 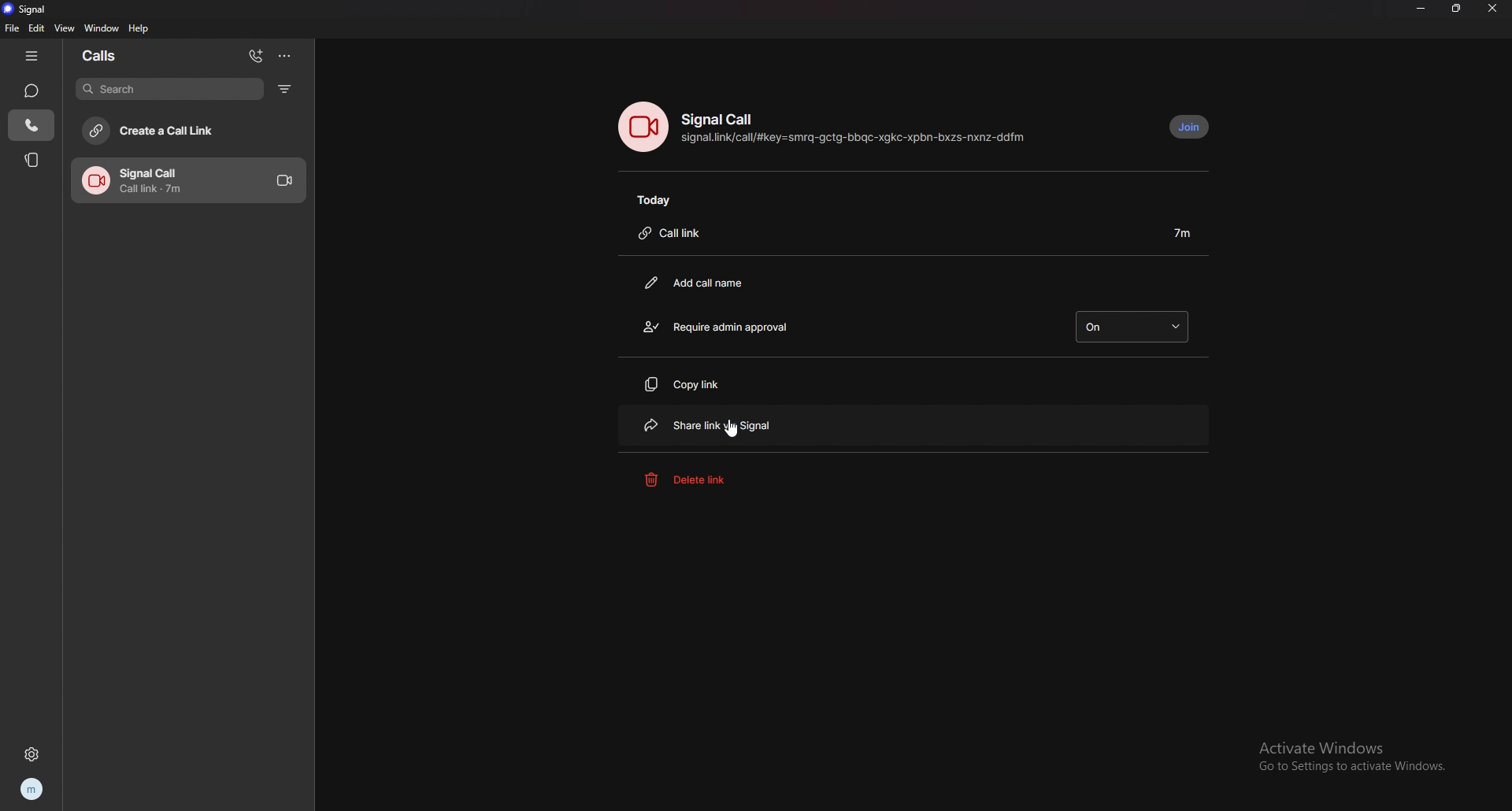 What do you see at coordinates (721, 120) in the screenshot?
I see `signal call` at bounding box center [721, 120].